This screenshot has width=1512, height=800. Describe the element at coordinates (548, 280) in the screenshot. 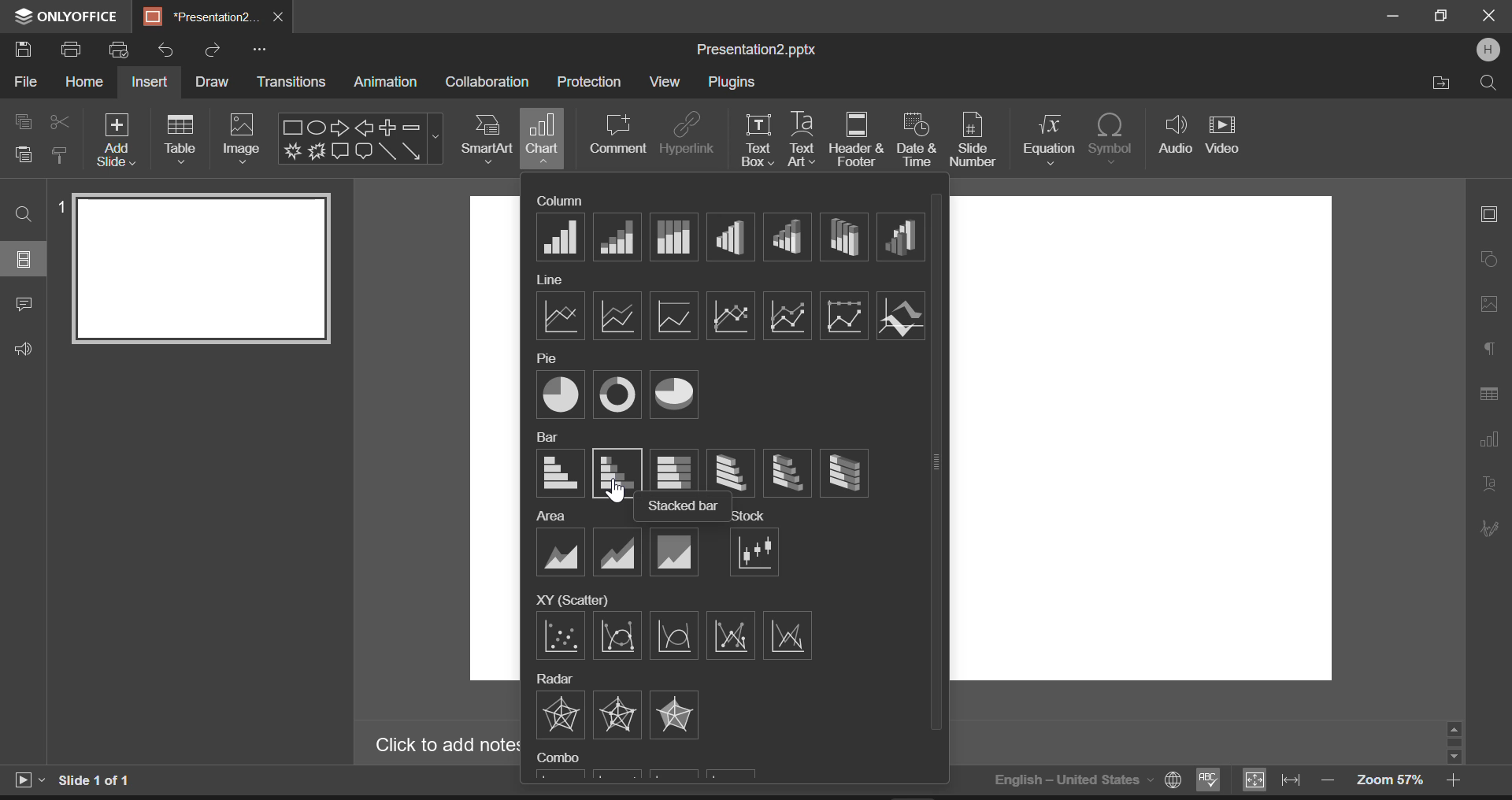

I see `Line` at that location.